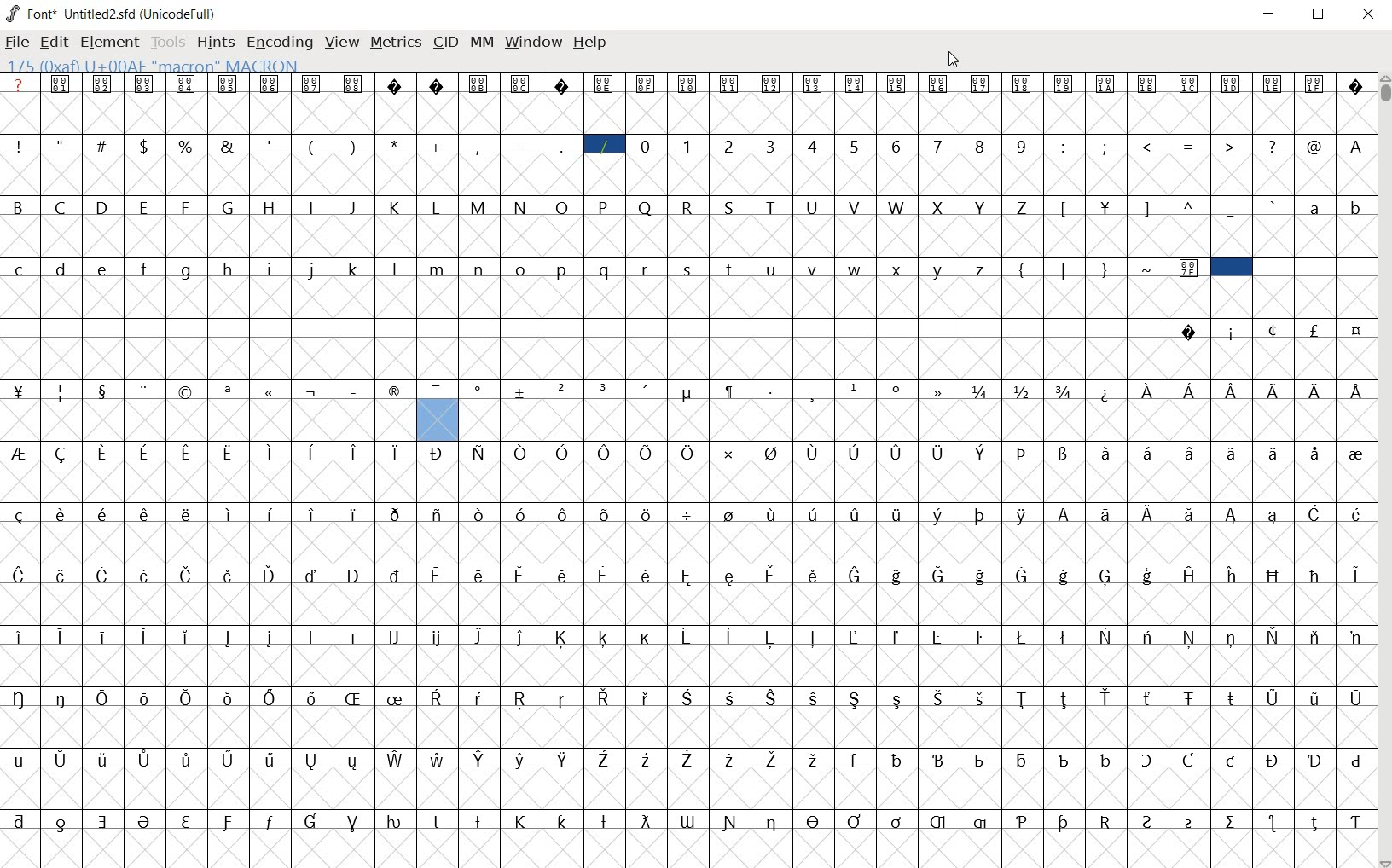 Image resolution: width=1392 pixels, height=868 pixels. What do you see at coordinates (1105, 513) in the screenshot?
I see `Symbol` at bounding box center [1105, 513].